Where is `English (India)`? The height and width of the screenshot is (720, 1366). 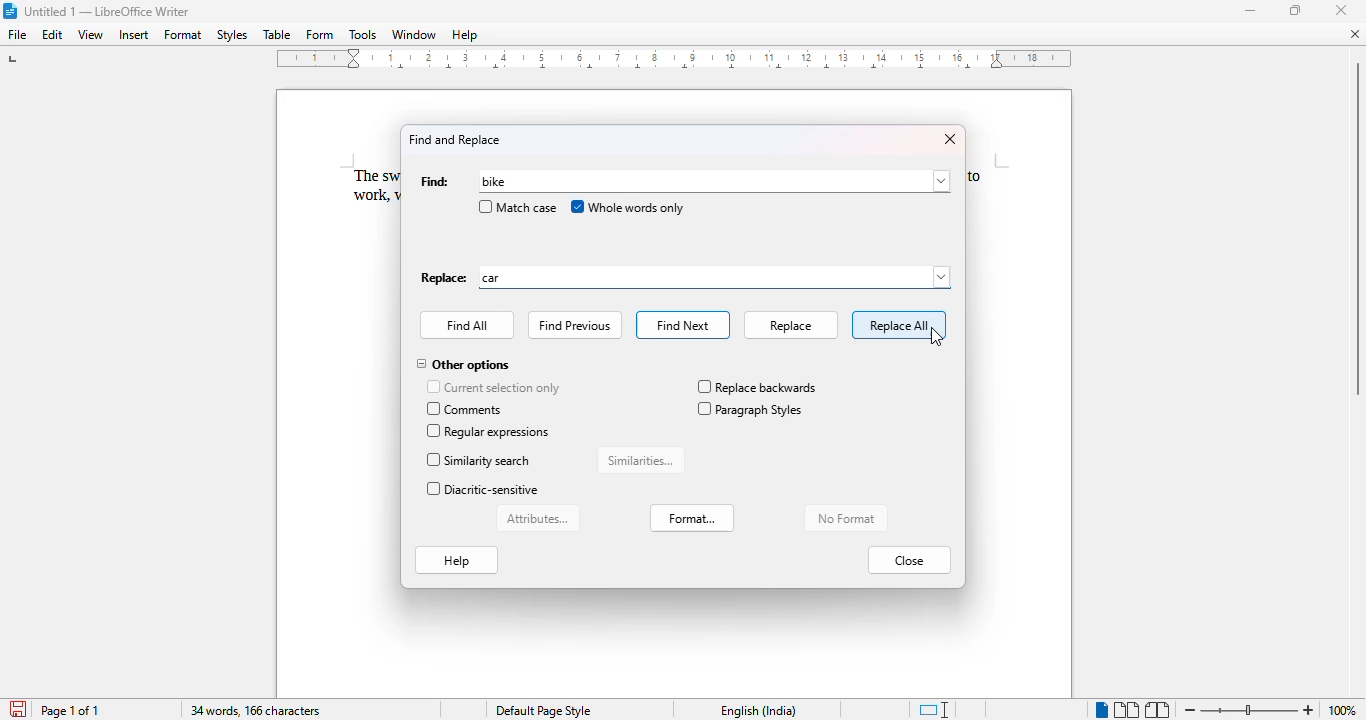 English (India) is located at coordinates (757, 711).